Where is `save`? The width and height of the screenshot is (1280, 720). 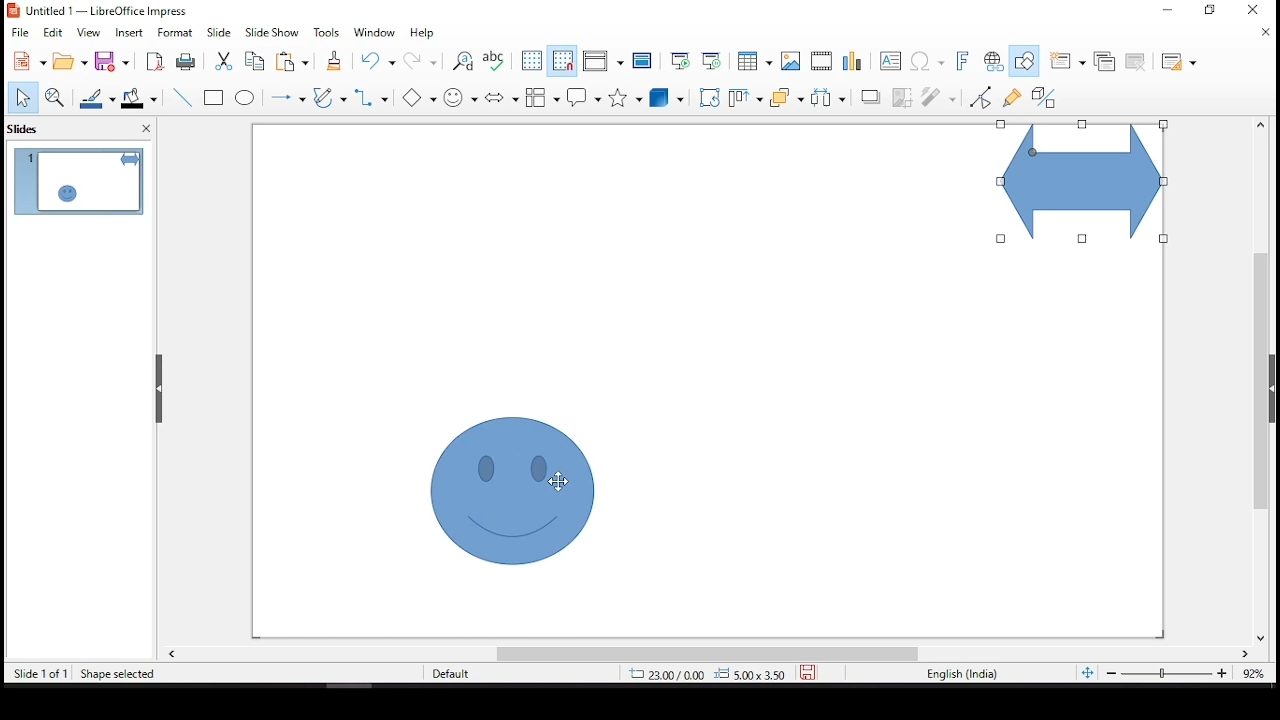
save is located at coordinates (808, 670).